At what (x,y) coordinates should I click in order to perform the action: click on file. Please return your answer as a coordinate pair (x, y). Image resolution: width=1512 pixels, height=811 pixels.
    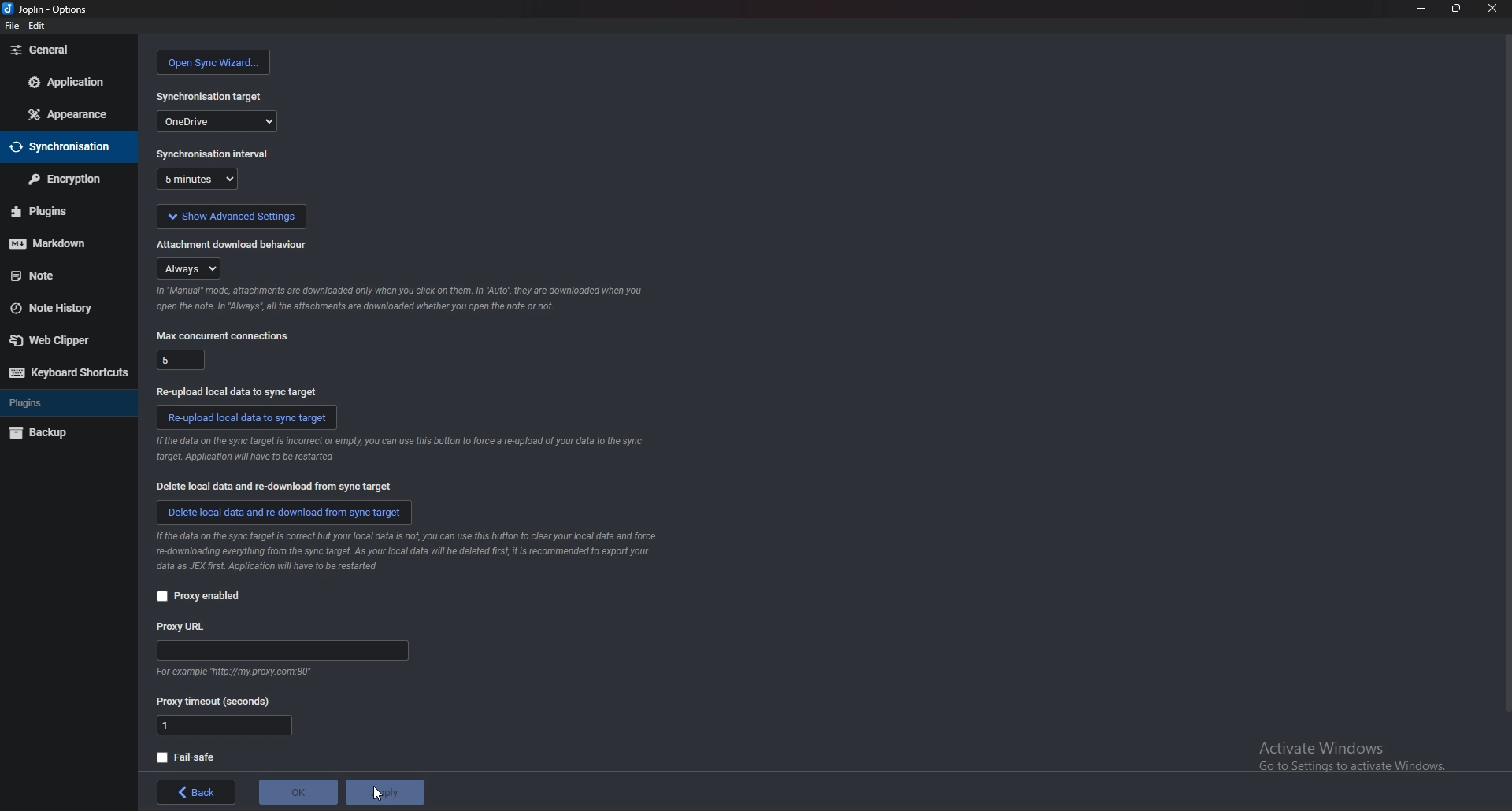
    Looking at the image, I should click on (10, 25).